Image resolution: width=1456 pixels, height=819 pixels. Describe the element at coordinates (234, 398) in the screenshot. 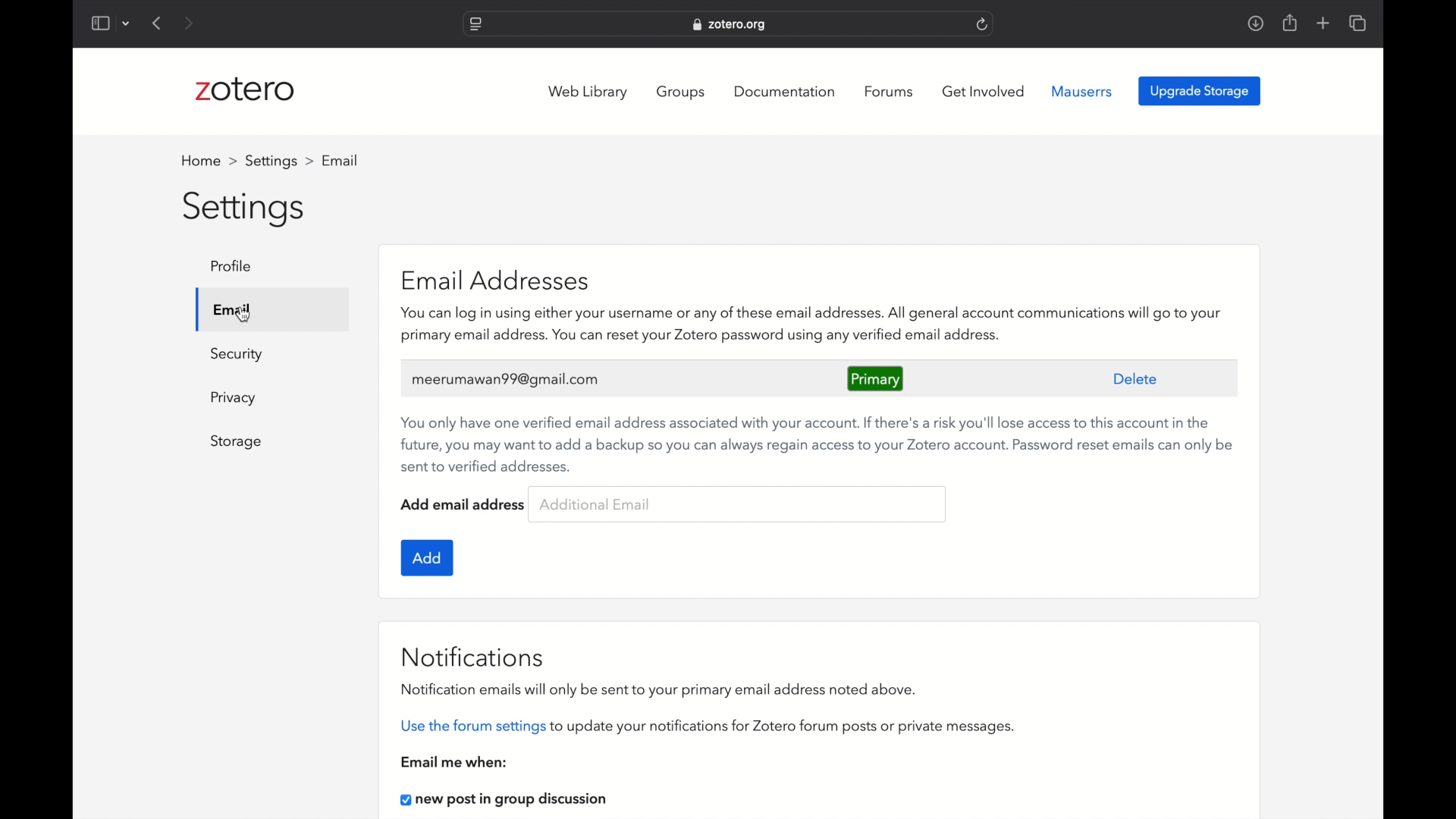

I see `` at that location.